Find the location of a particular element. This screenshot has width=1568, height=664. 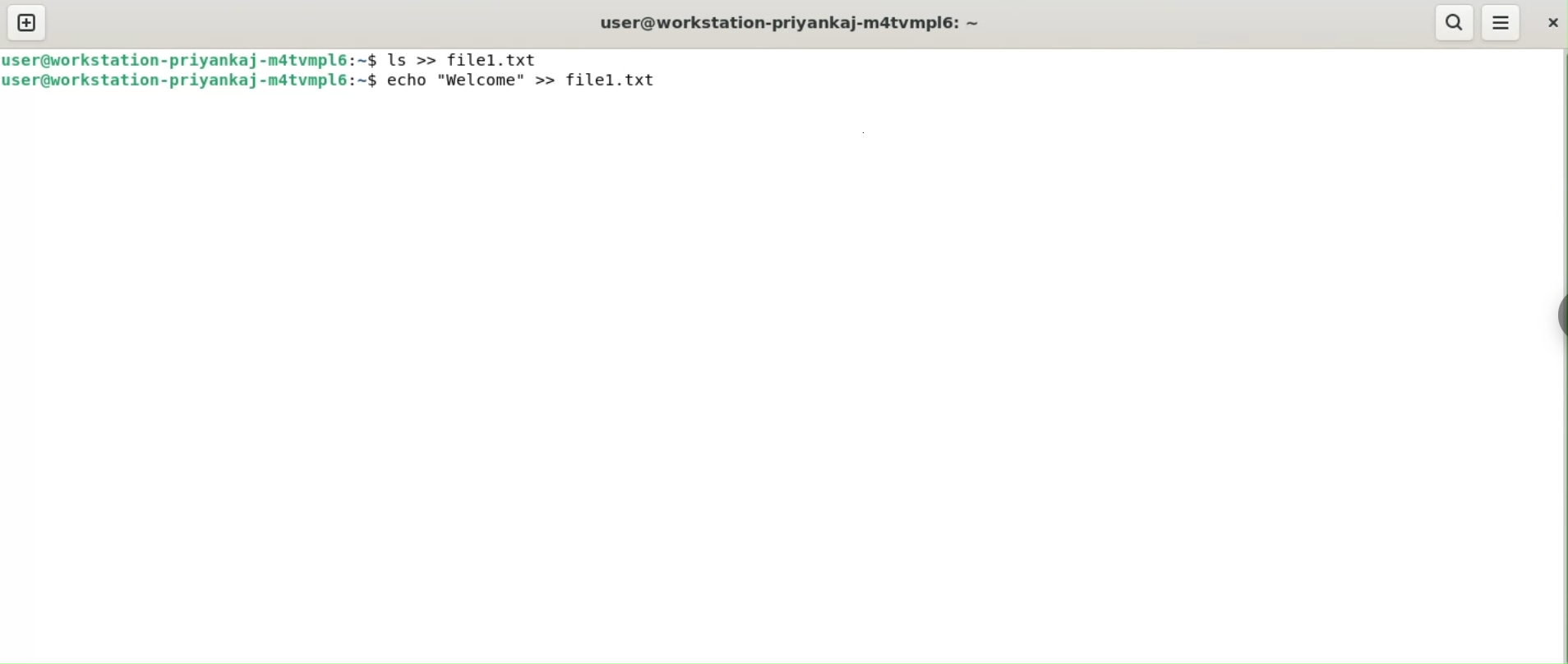

user@workstation-priyankaj-m4tvmpl6: ~$ is located at coordinates (190, 59).